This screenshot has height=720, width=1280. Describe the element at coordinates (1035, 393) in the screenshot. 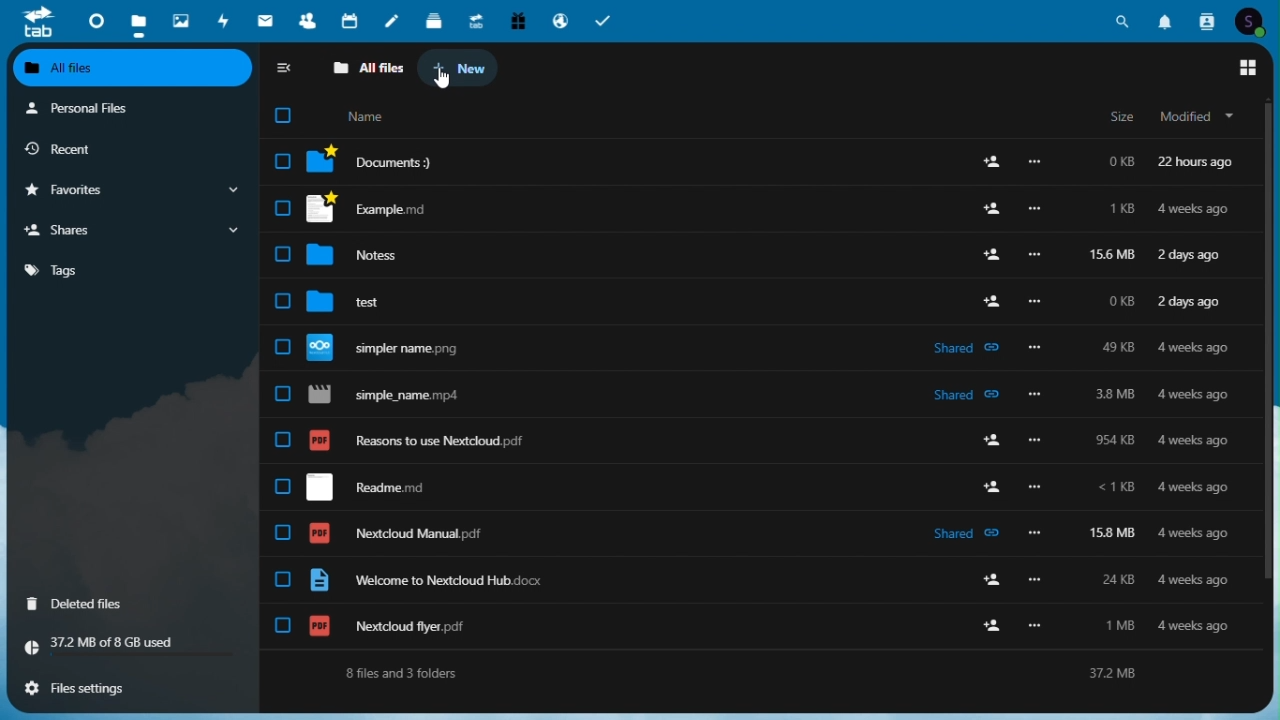

I see `more options` at that location.